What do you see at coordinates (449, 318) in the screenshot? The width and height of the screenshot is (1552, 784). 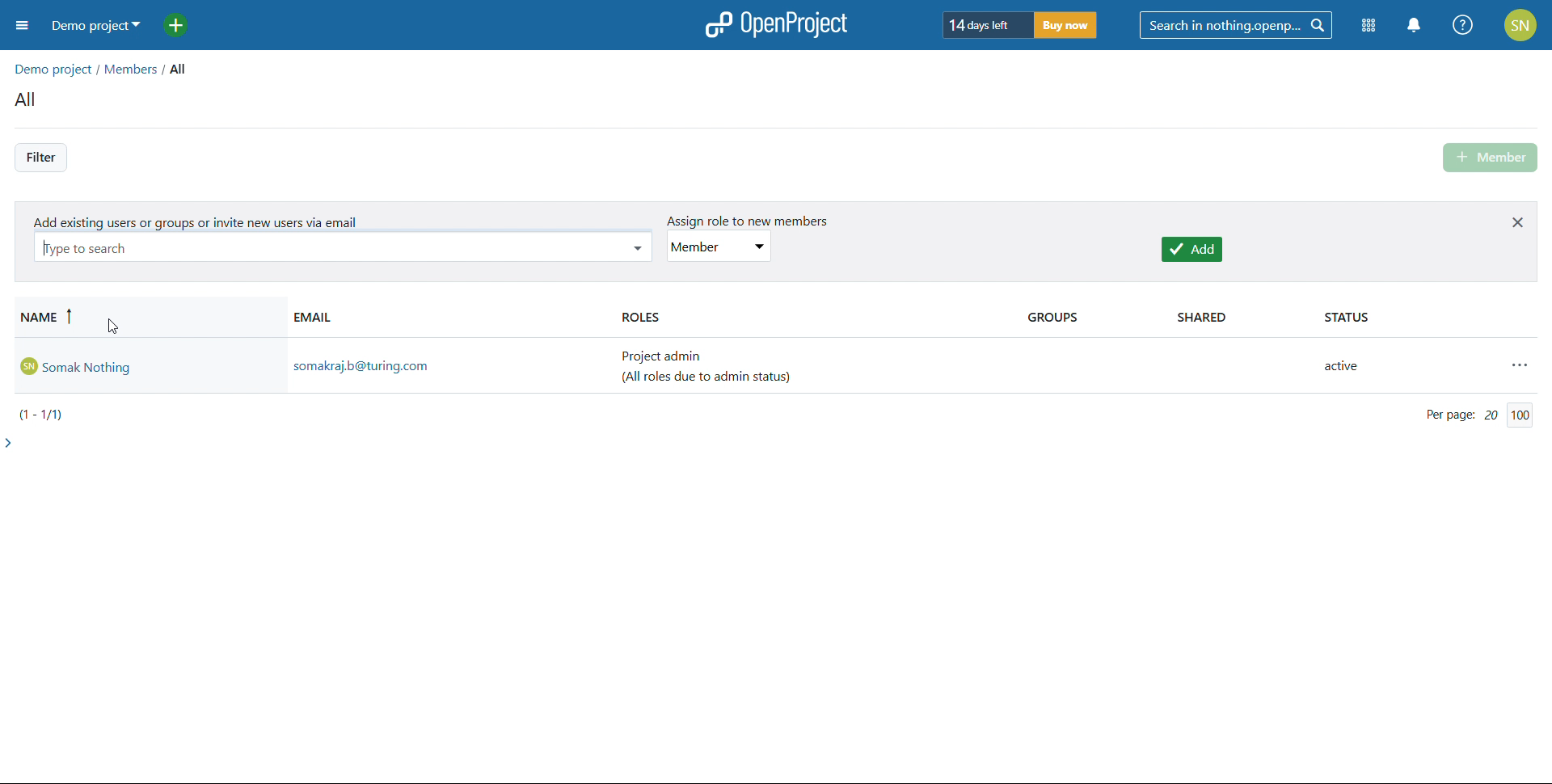 I see `email` at bounding box center [449, 318].